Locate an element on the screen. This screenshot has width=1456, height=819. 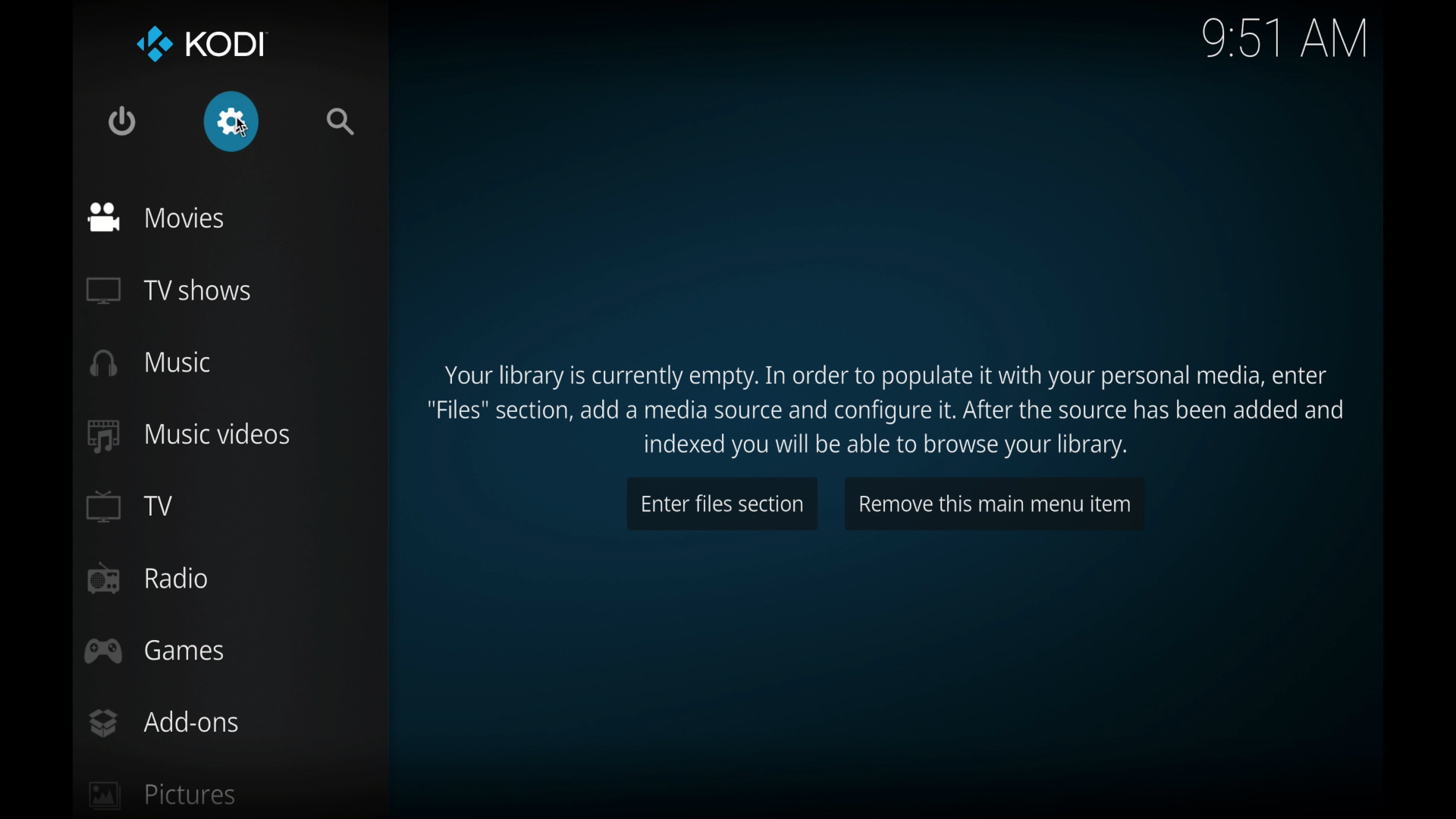
time is located at coordinates (1285, 39).